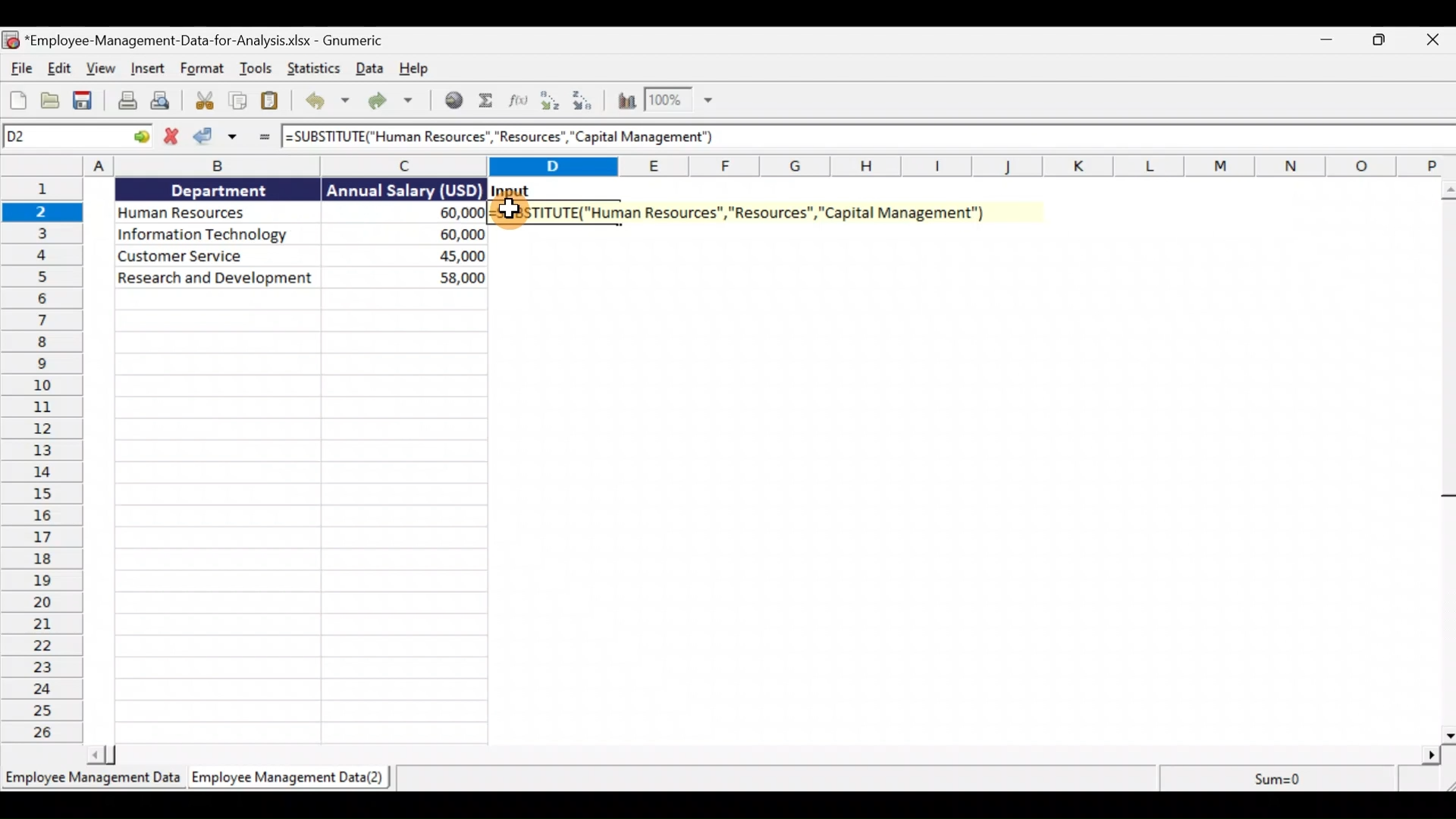  What do you see at coordinates (125, 102) in the screenshot?
I see `Print the current file` at bounding box center [125, 102].